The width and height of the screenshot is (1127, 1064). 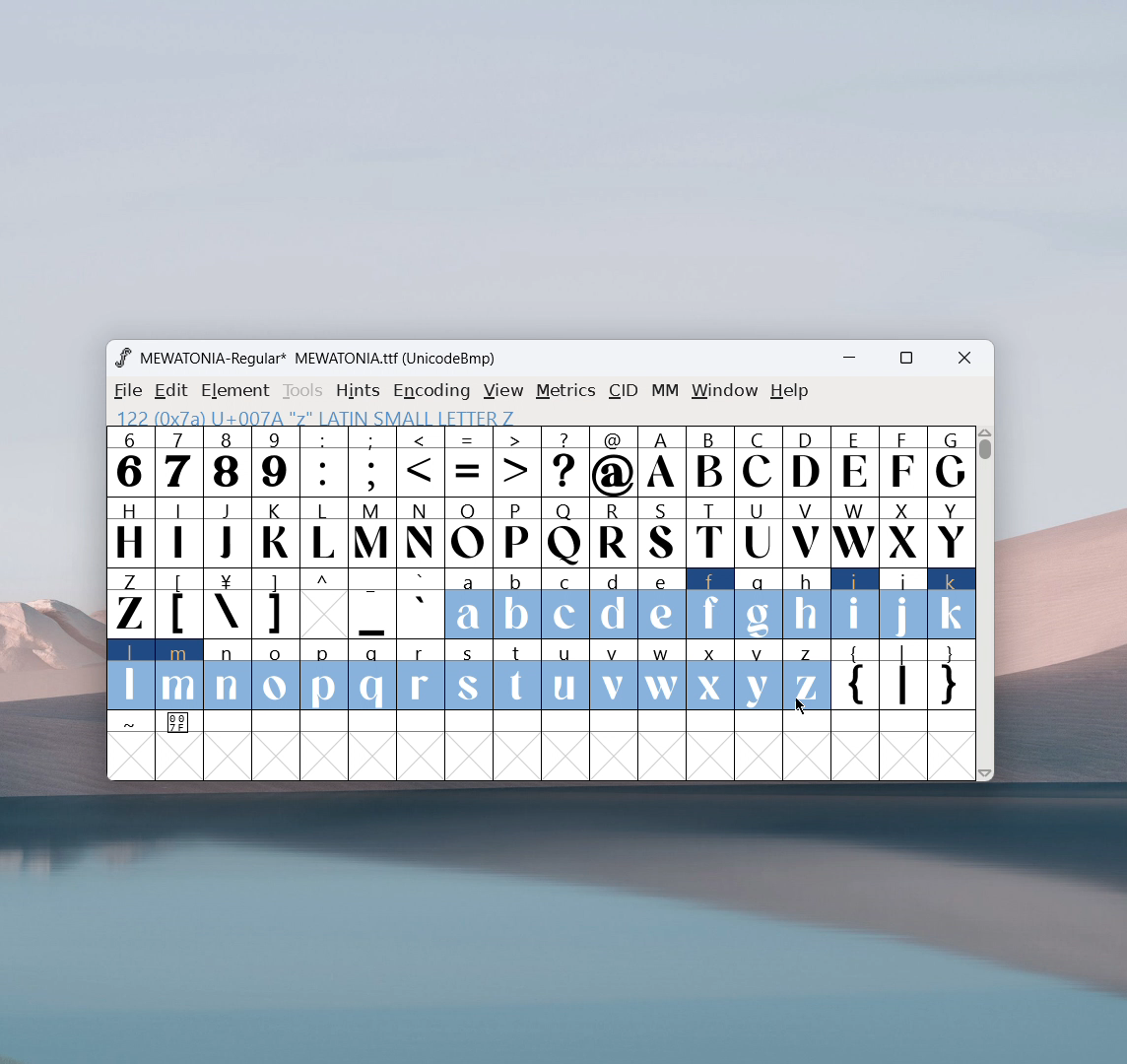 I want to click on c, so click(x=565, y=604).